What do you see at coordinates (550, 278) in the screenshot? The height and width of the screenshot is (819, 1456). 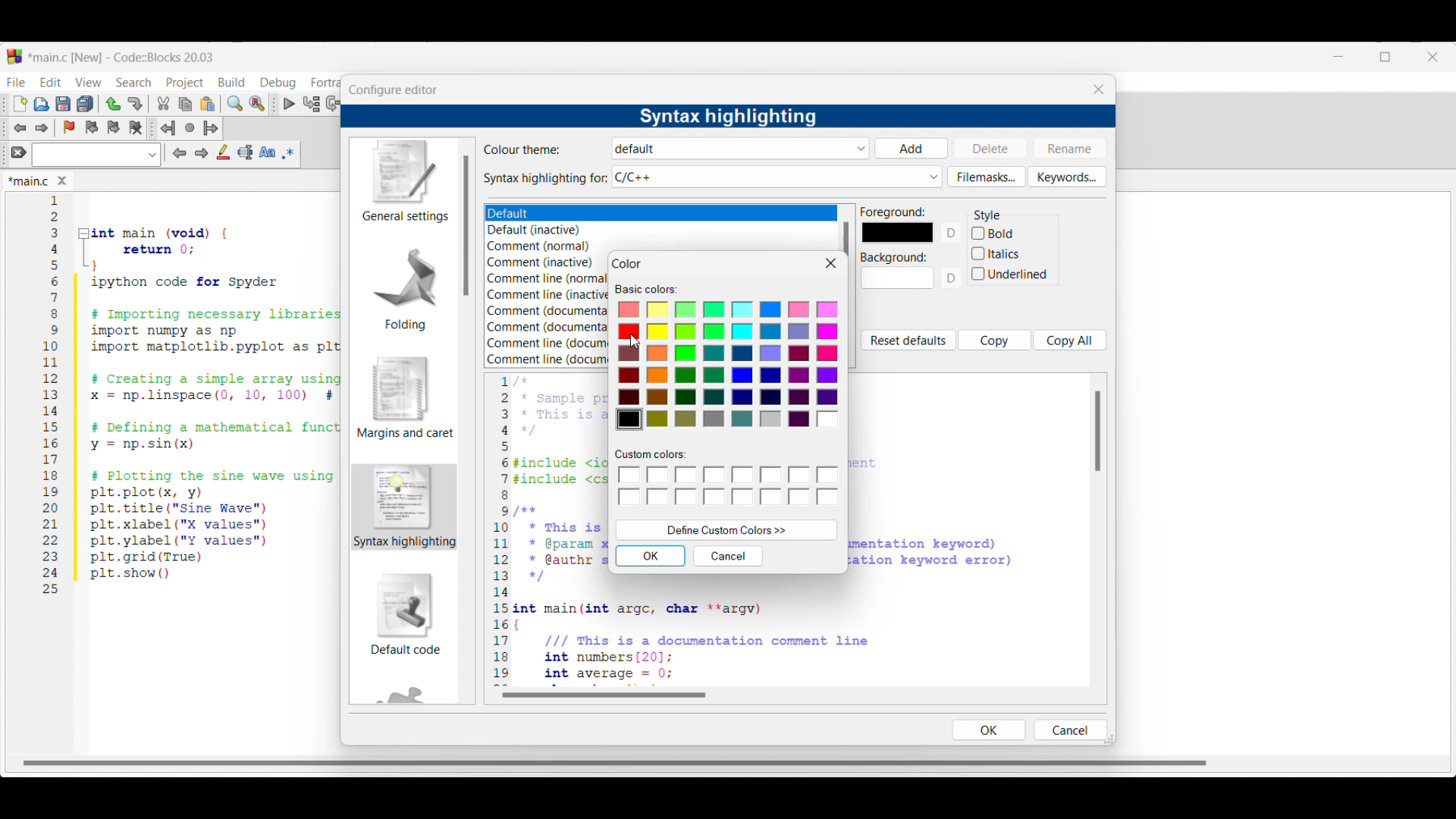 I see `Comment line (normal)` at bounding box center [550, 278].